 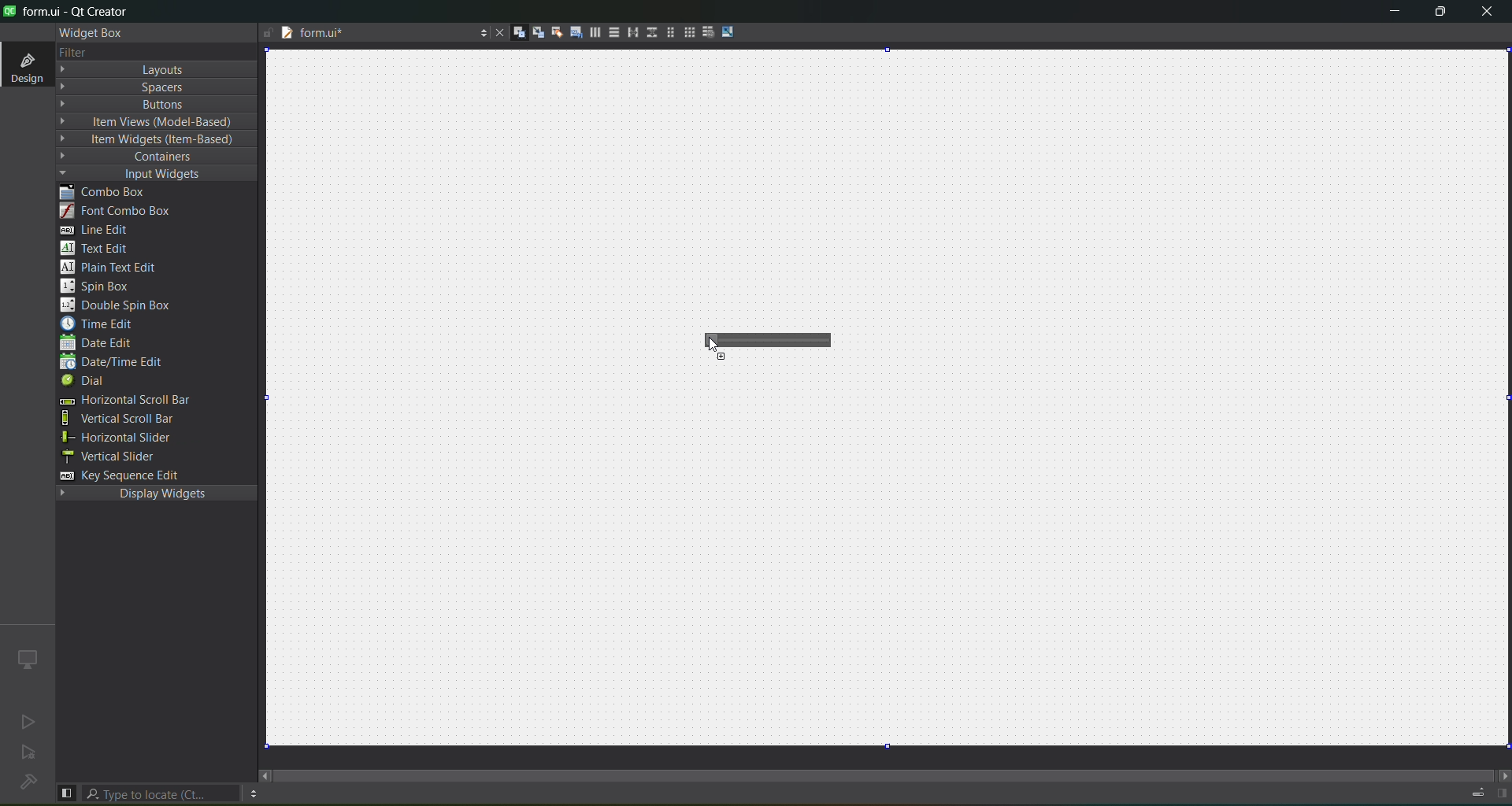 What do you see at coordinates (153, 400) in the screenshot?
I see `horizontal scroll bar` at bounding box center [153, 400].